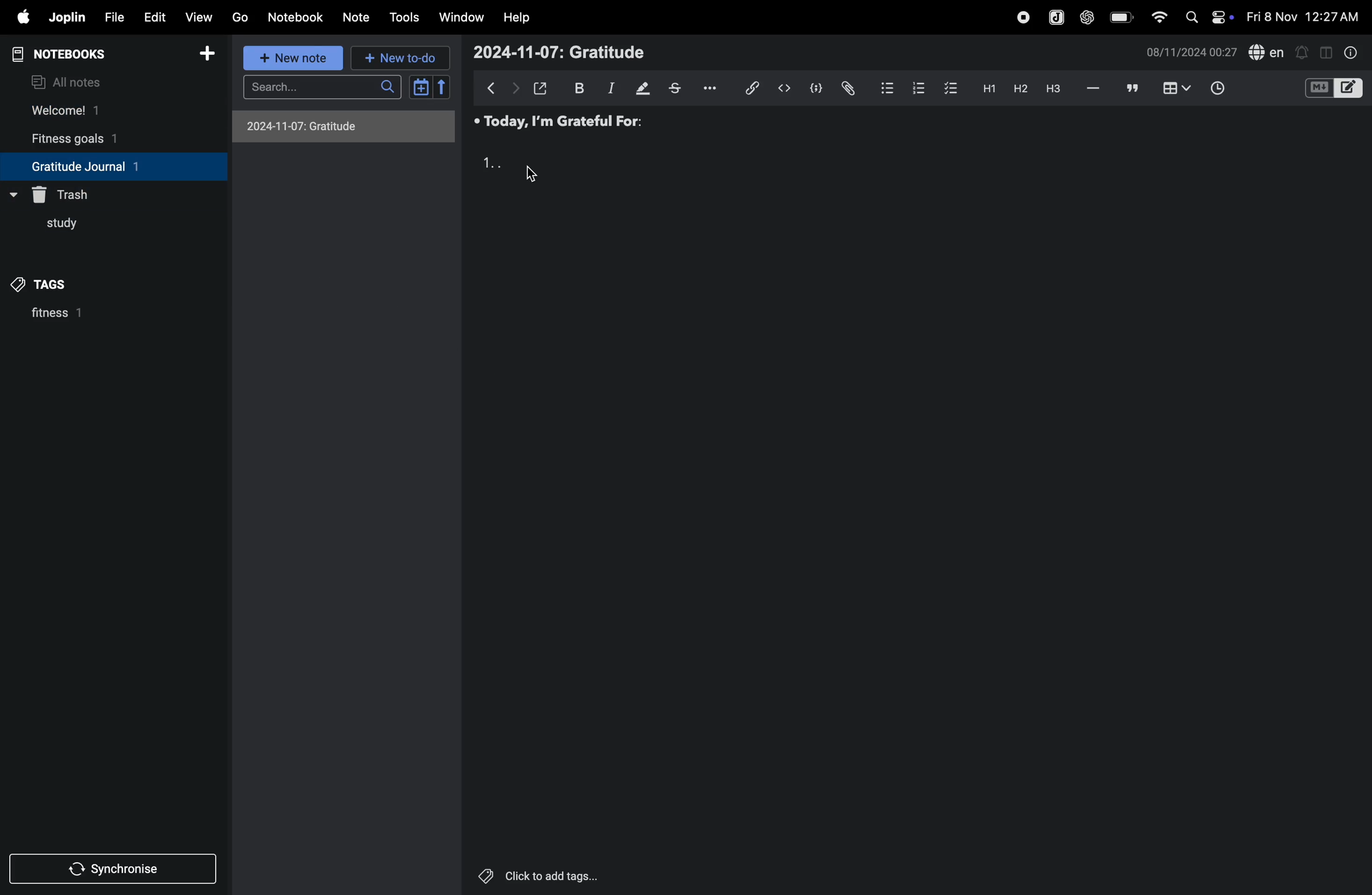  Describe the element at coordinates (397, 58) in the screenshot. I see `new to do` at that location.